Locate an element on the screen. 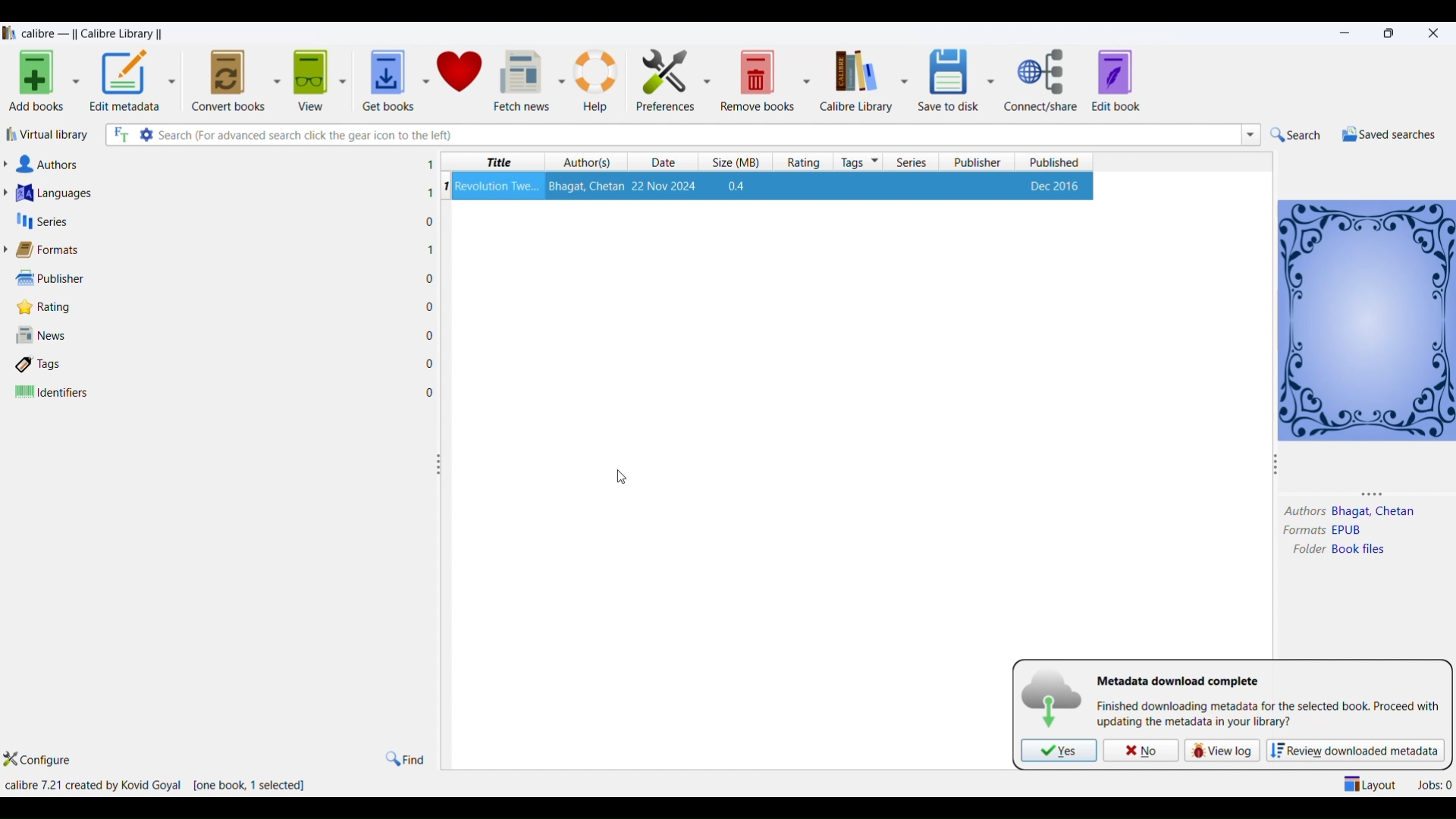 The height and width of the screenshot is (819, 1456). view all formats dropdown button is located at coordinates (9, 249).